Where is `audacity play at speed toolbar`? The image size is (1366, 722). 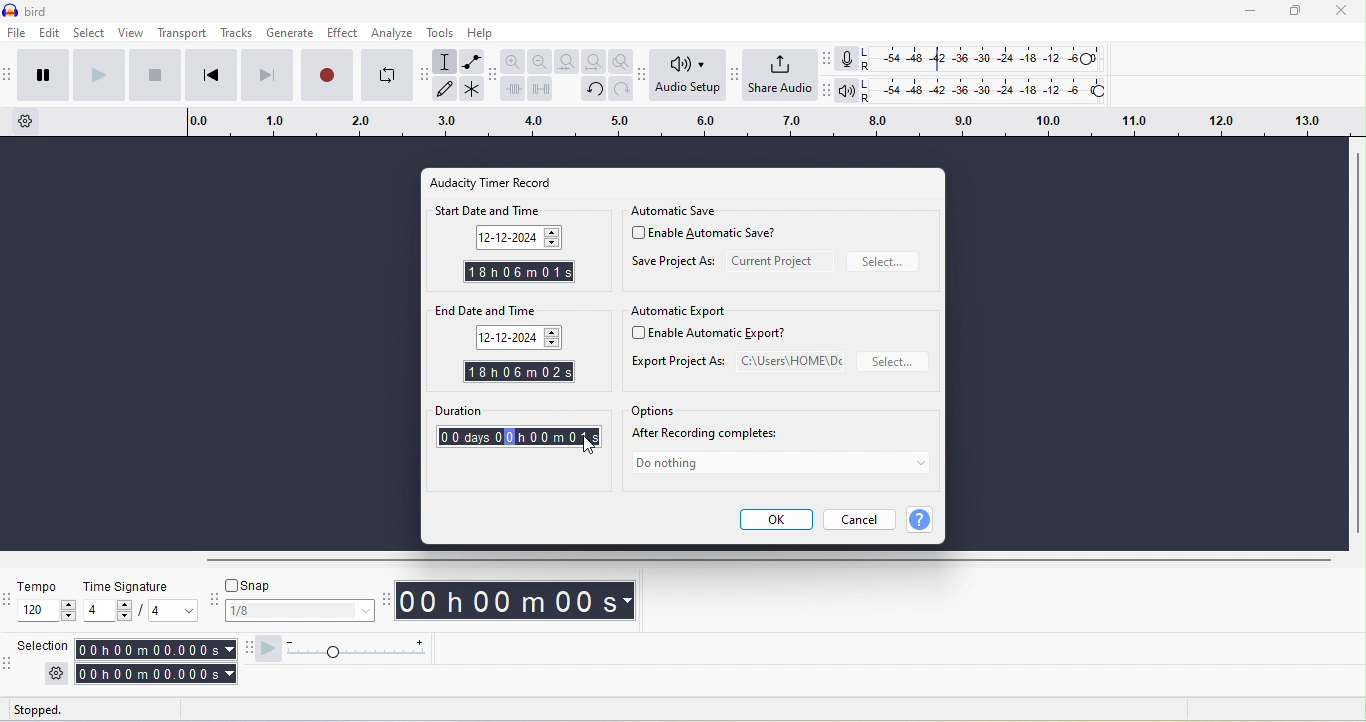 audacity play at speed toolbar is located at coordinates (269, 648).